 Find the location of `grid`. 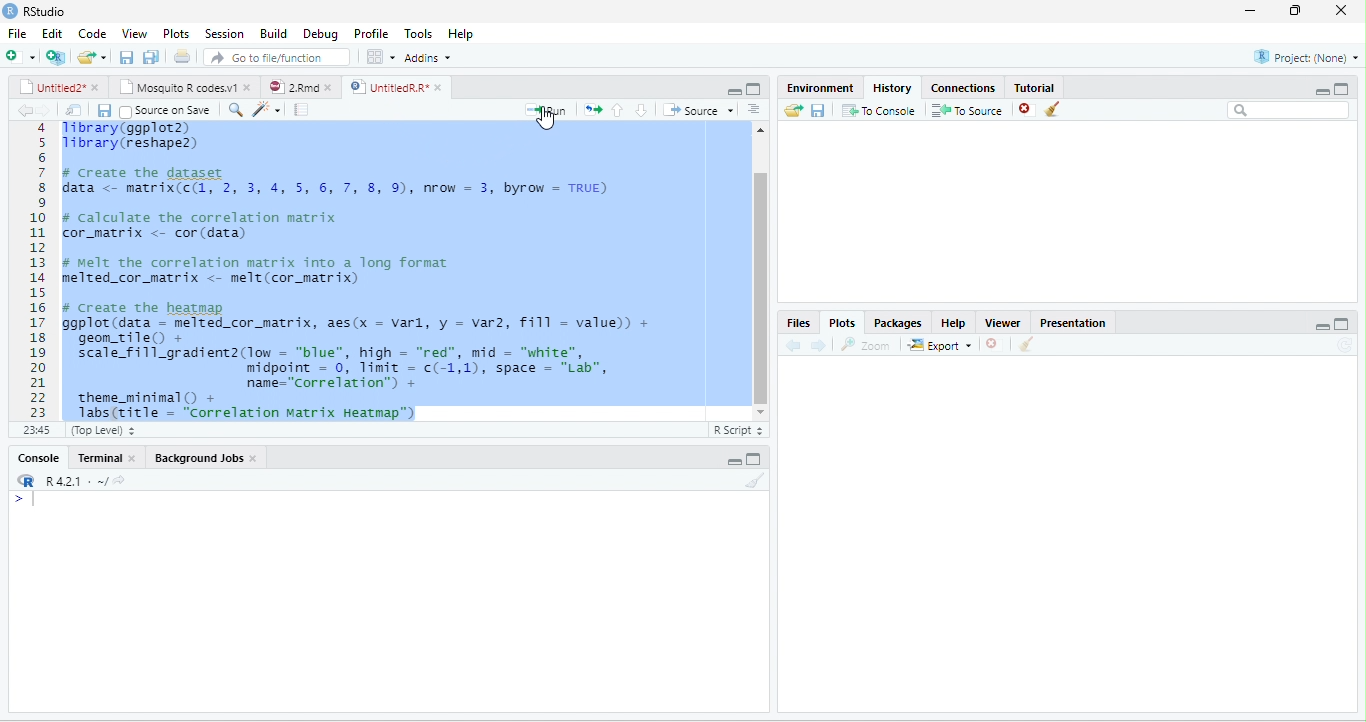

grid is located at coordinates (380, 58).